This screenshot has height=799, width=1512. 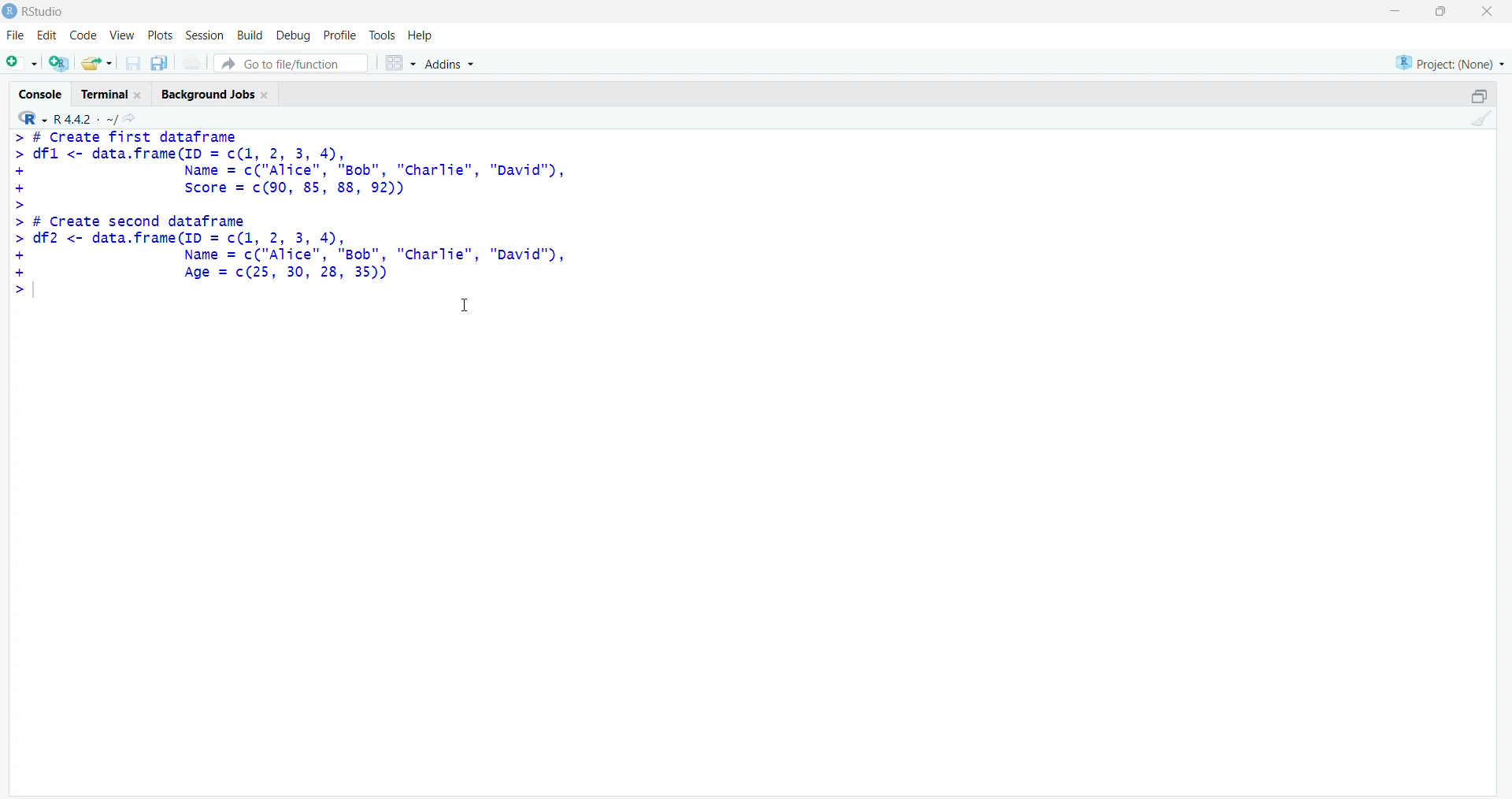 What do you see at coordinates (60, 63) in the screenshot?
I see `add R file` at bounding box center [60, 63].